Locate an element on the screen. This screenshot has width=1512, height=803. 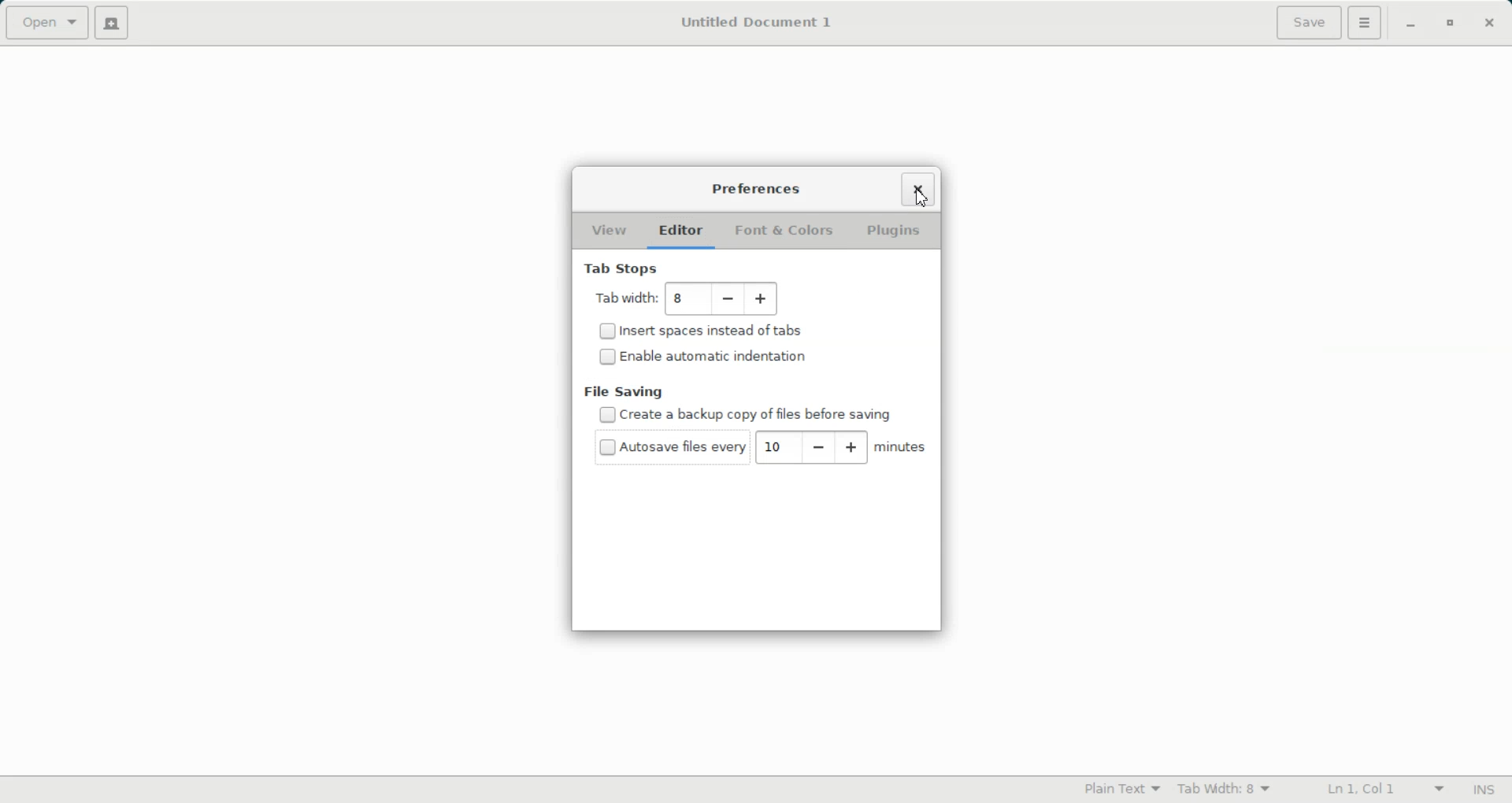
Tab Stops is located at coordinates (621, 268).